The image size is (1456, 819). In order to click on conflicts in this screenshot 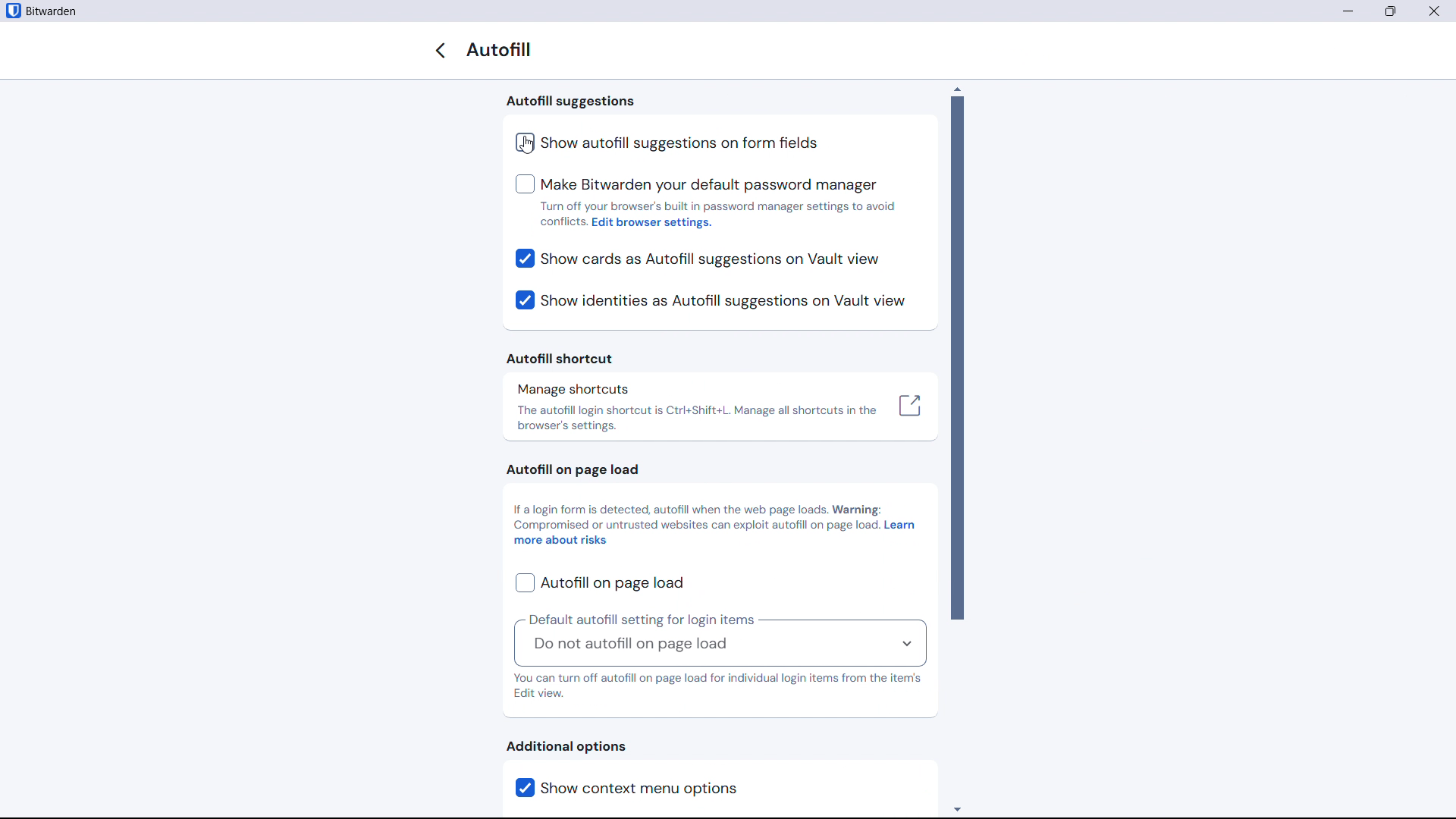, I will do `click(563, 221)`.